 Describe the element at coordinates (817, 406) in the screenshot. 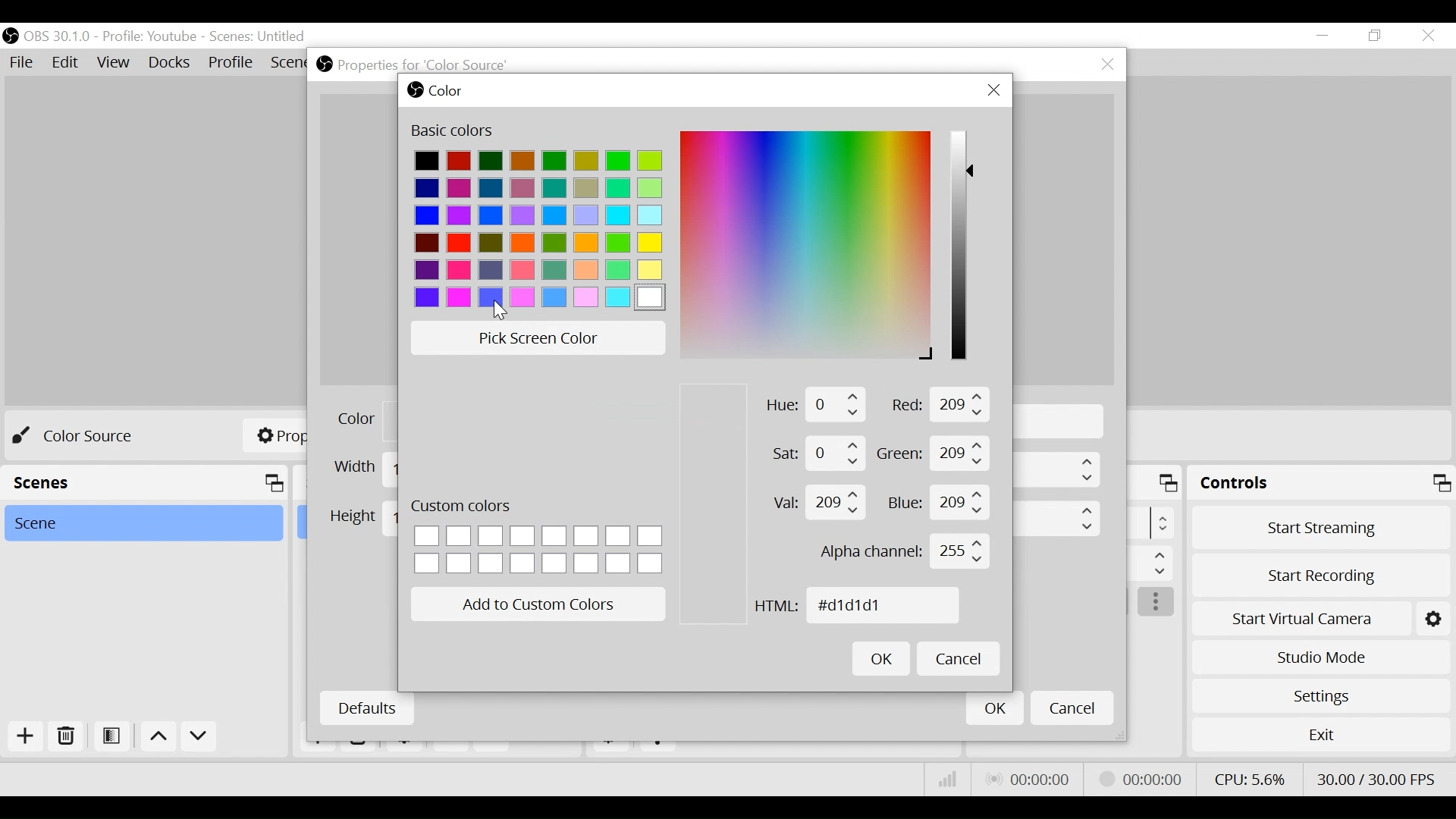

I see `Hue` at that location.